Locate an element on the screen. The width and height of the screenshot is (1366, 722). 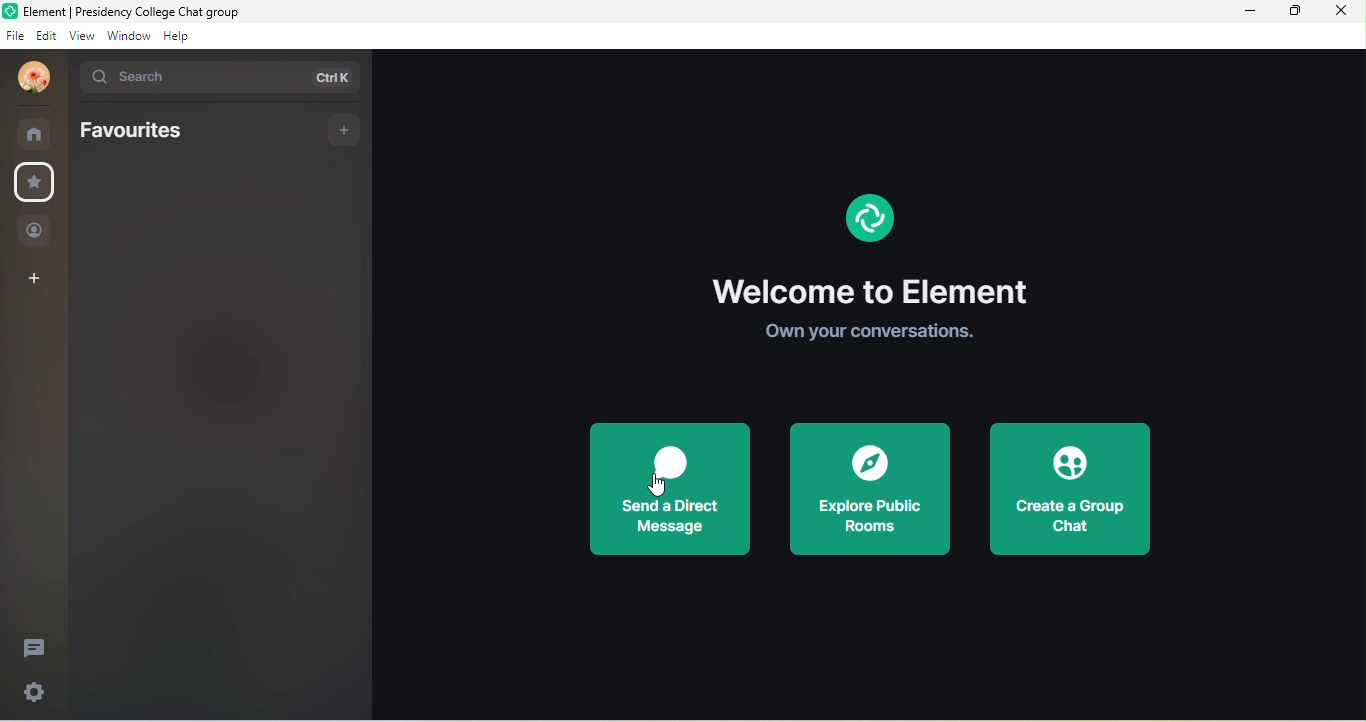
file is located at coordinates (15, 34).